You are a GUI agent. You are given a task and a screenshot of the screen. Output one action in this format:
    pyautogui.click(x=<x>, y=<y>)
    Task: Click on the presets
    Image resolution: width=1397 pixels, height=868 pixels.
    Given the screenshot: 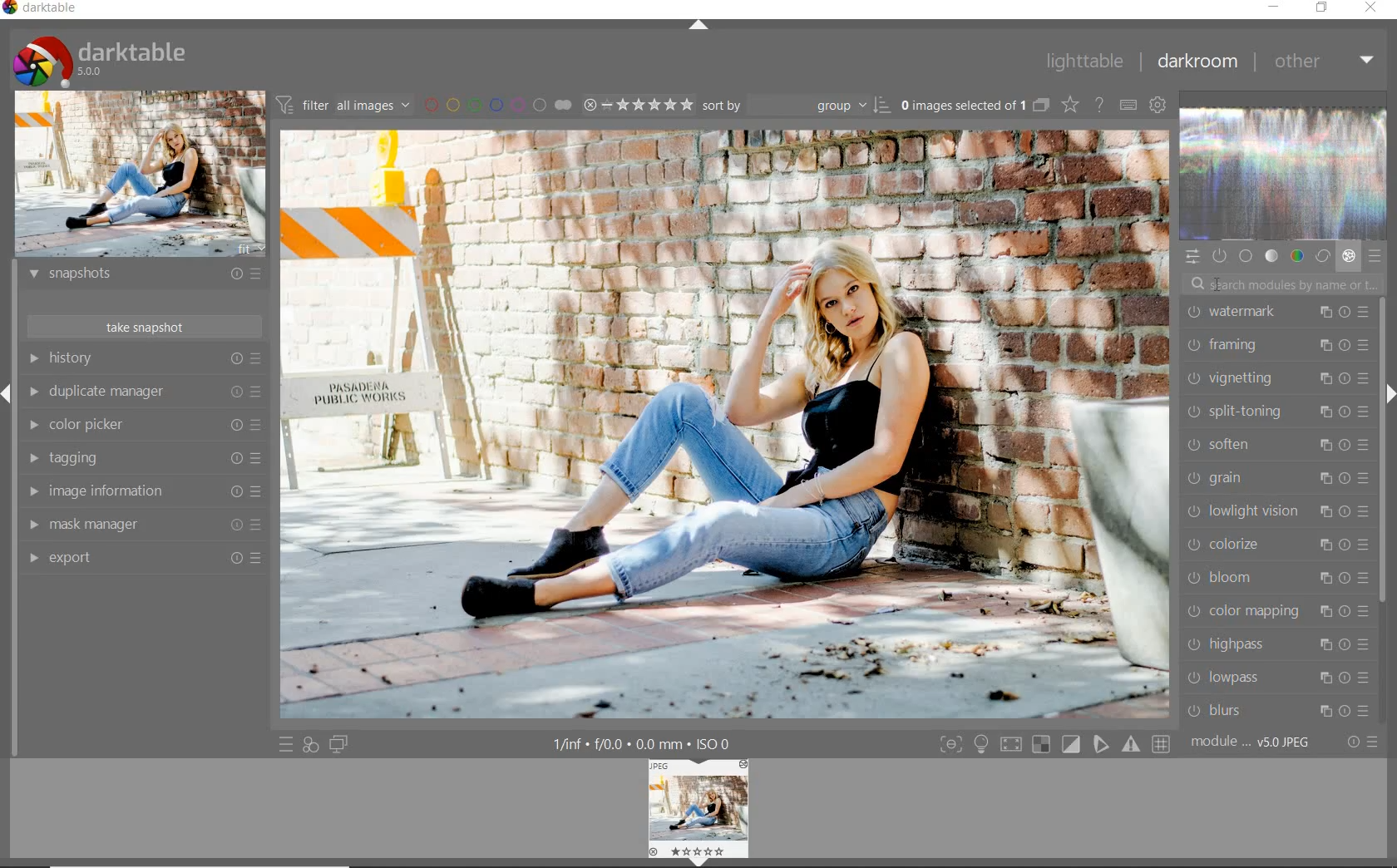 What is the action you would take?
    pyautogui.click(x=1376, y=258)
    